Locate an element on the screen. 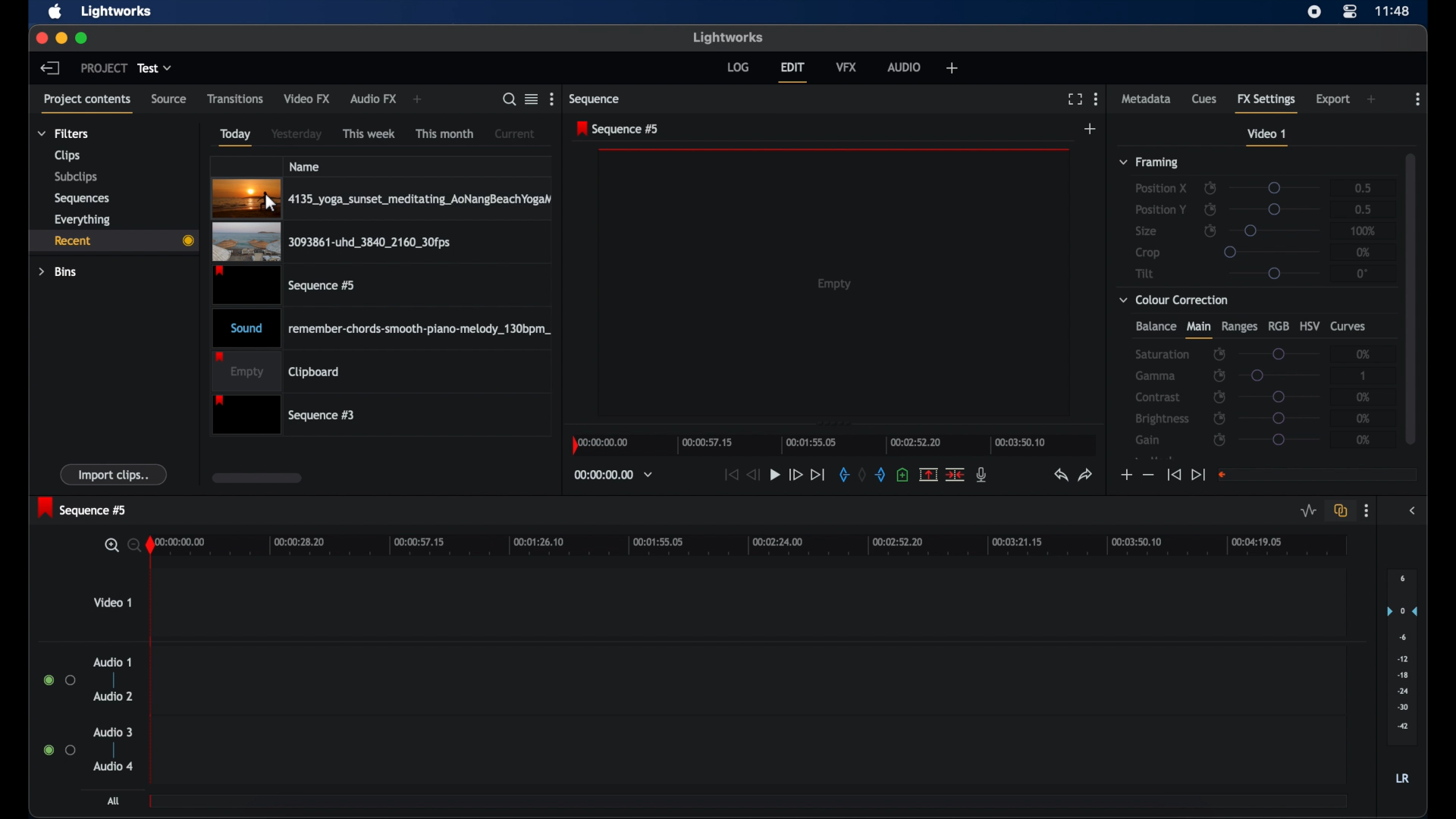 This screenshot has width=1456, height=819. fx settings is located at coordinates (1268, 102).